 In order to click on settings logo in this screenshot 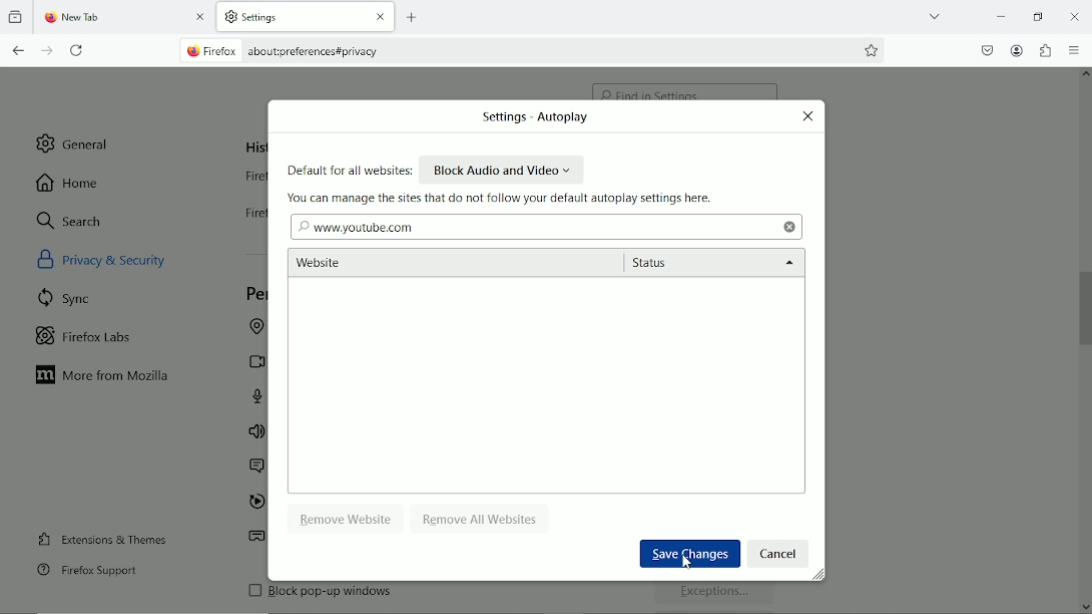, I will do `click(230, 16)`.